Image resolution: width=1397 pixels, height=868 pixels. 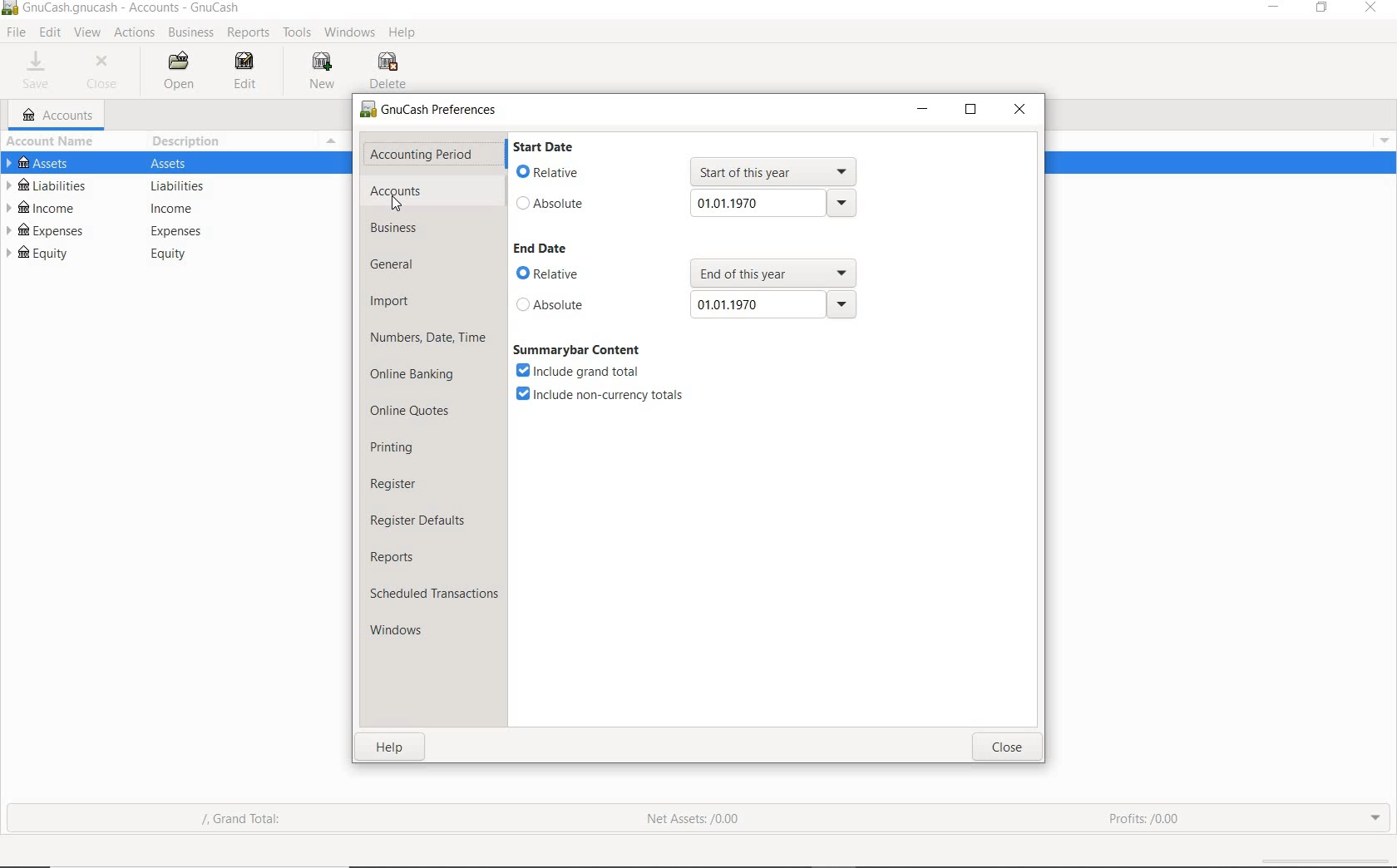 What do you see at coordinates (39, 72) in the screenshot?
I see `SAVE` at bounding box center [39, 72].